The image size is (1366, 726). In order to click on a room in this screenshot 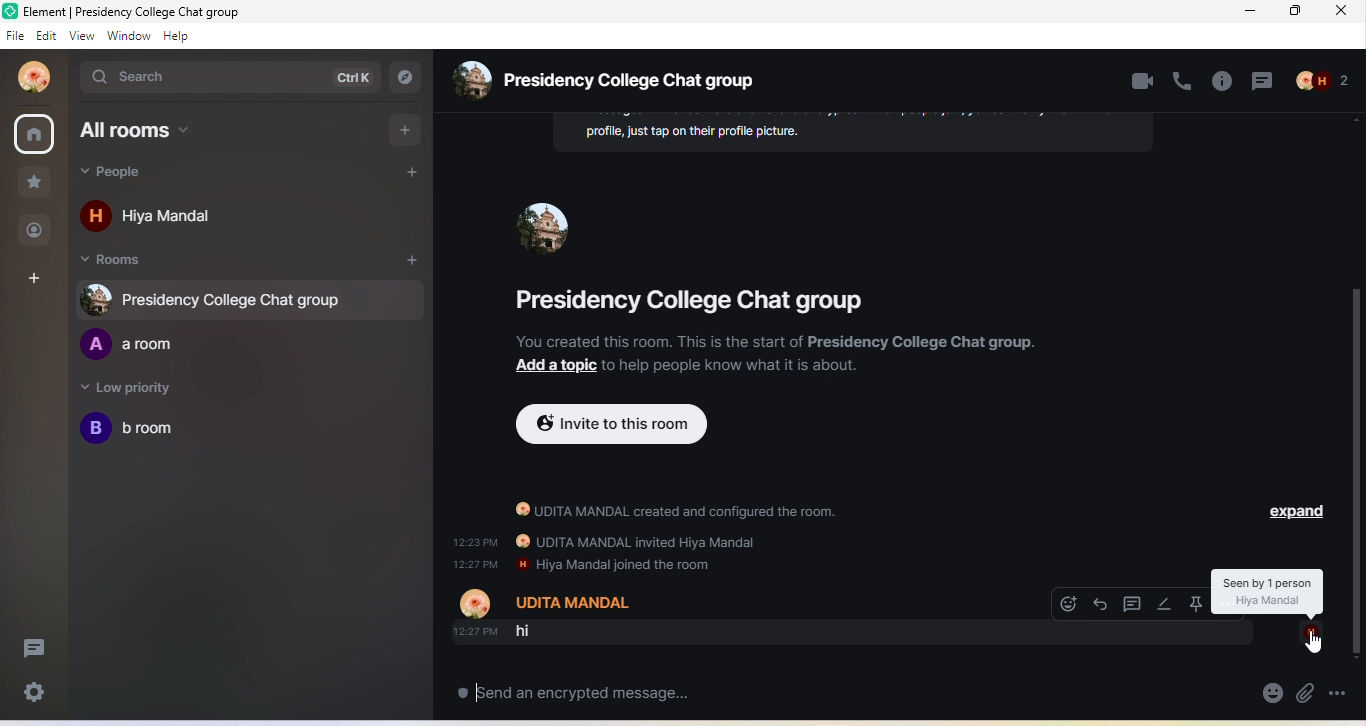, I will do `click(128, 344)`.